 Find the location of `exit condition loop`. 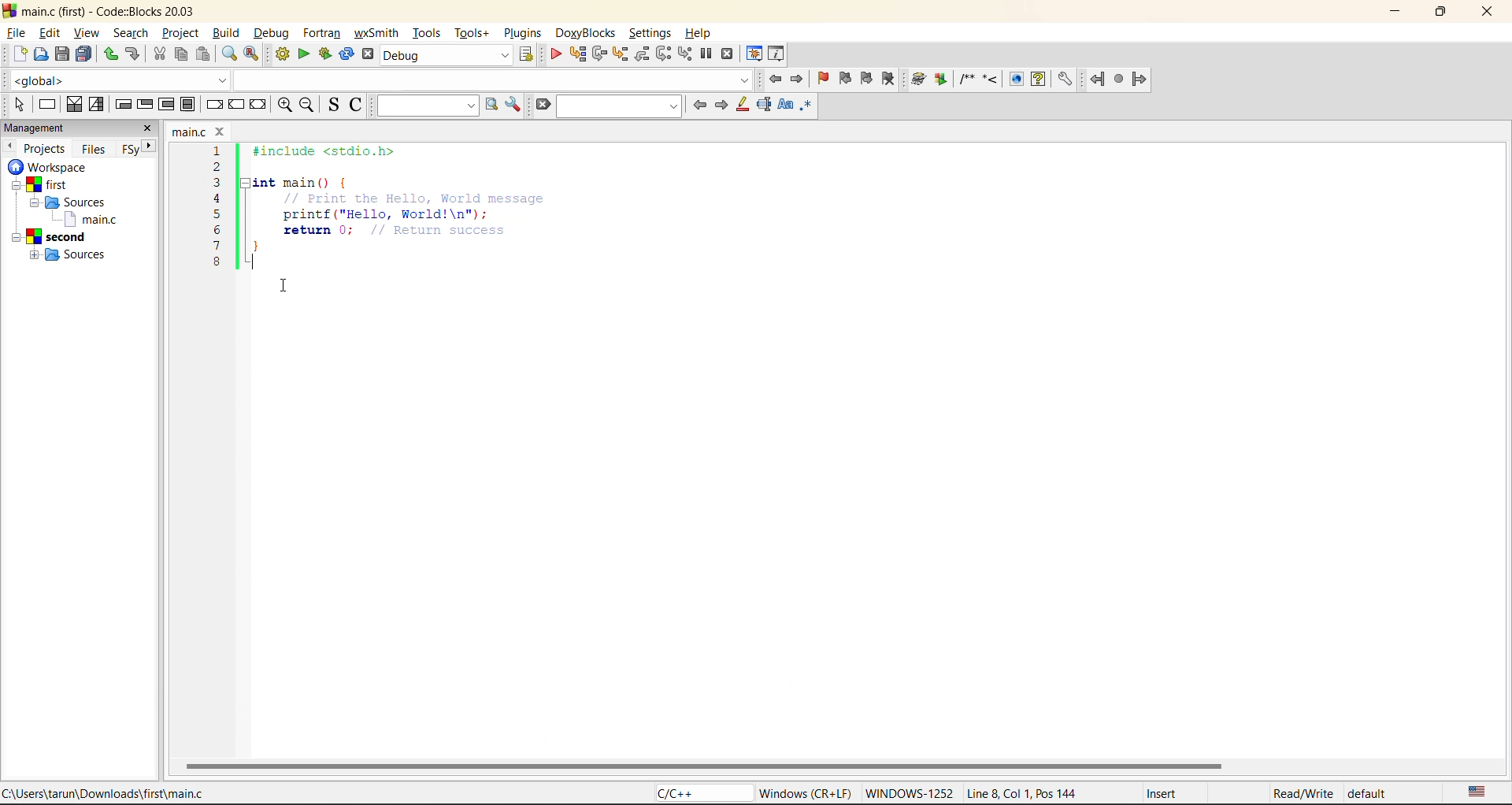

exit condition loop is located at coordinates (146, 103).